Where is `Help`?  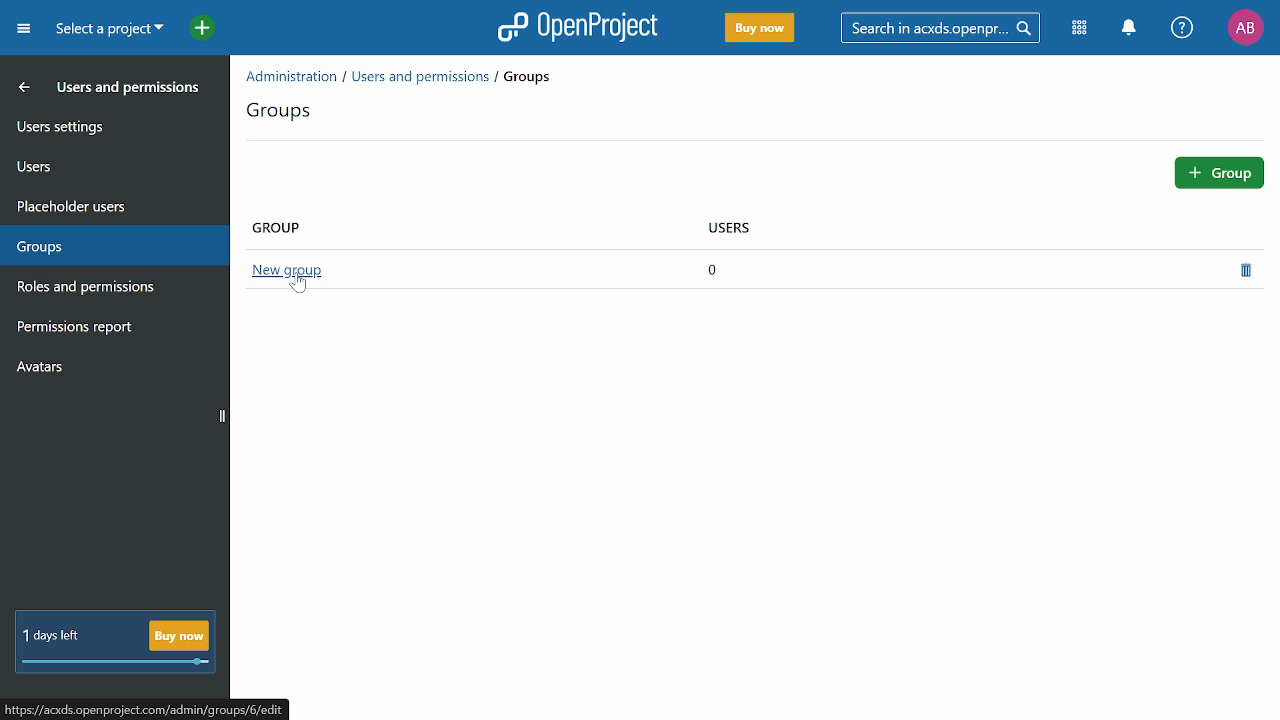 Help is located at coordinates (1183, 29).